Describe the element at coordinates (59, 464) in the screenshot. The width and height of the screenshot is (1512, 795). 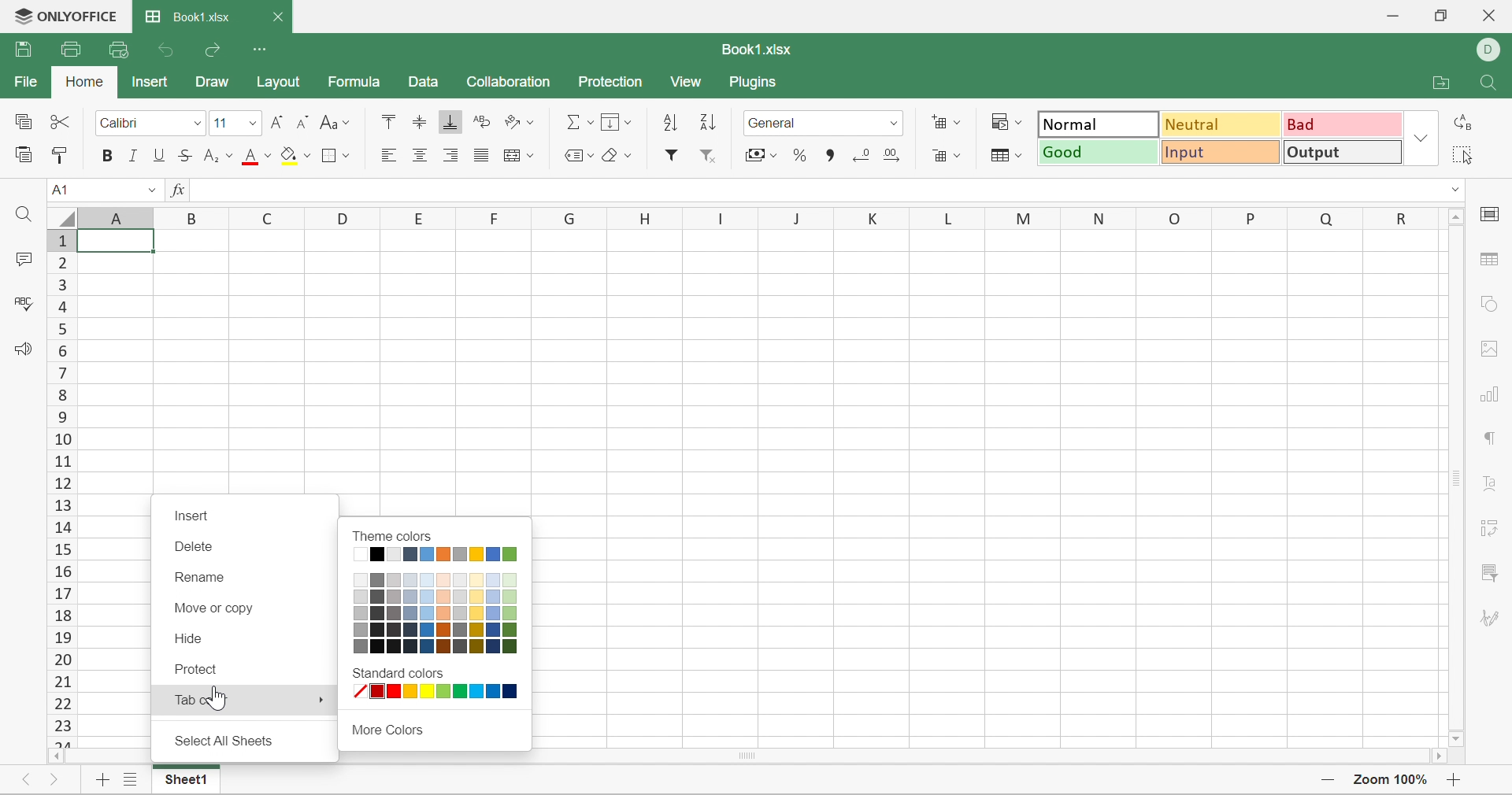
I see `11` at that location.